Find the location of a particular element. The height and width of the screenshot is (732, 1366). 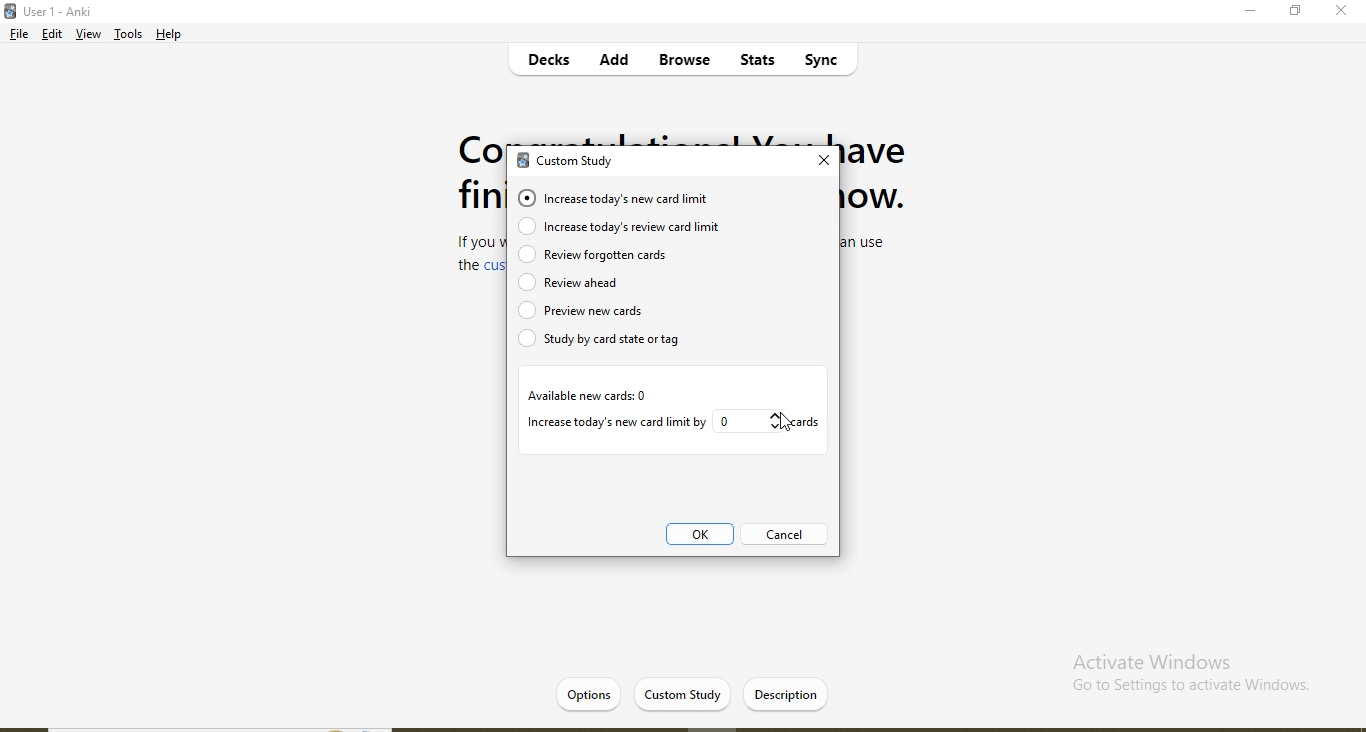

tools is located at coordinates (128, 37).